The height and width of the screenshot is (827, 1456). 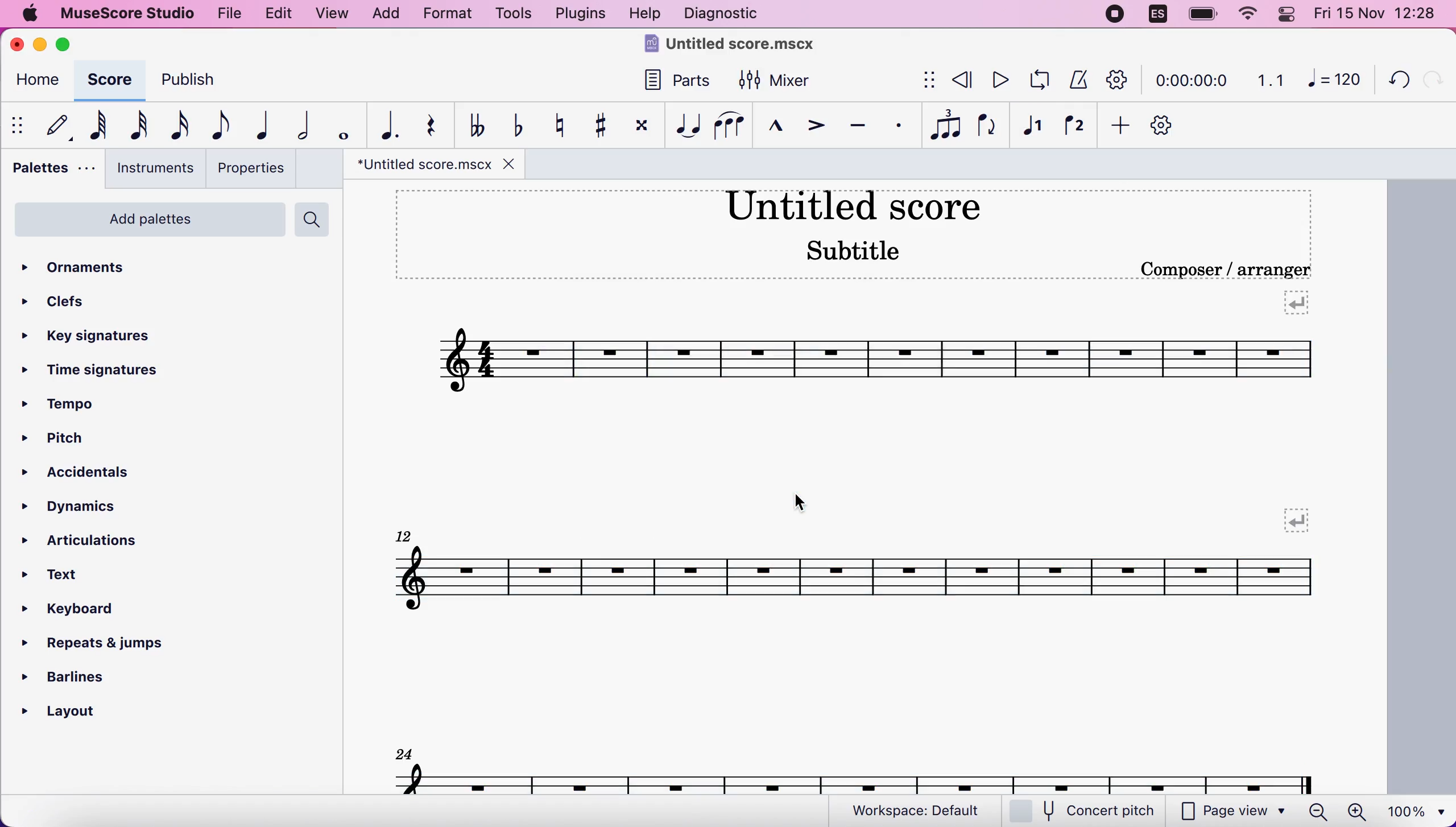 I want to click on wifi, so click(x=1246, y=14).